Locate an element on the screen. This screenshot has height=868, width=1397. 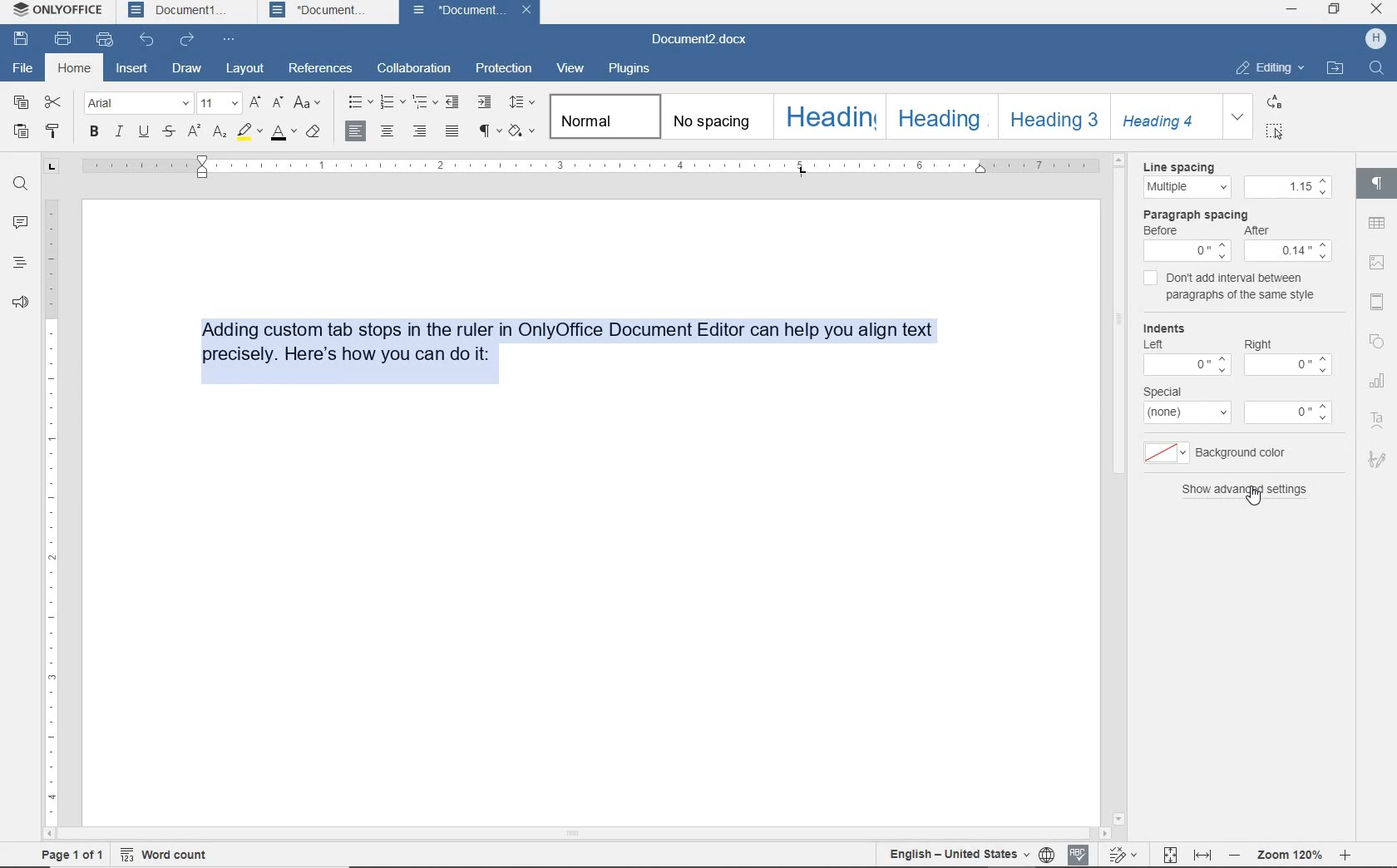
italic is located at coordinates (120, 133).